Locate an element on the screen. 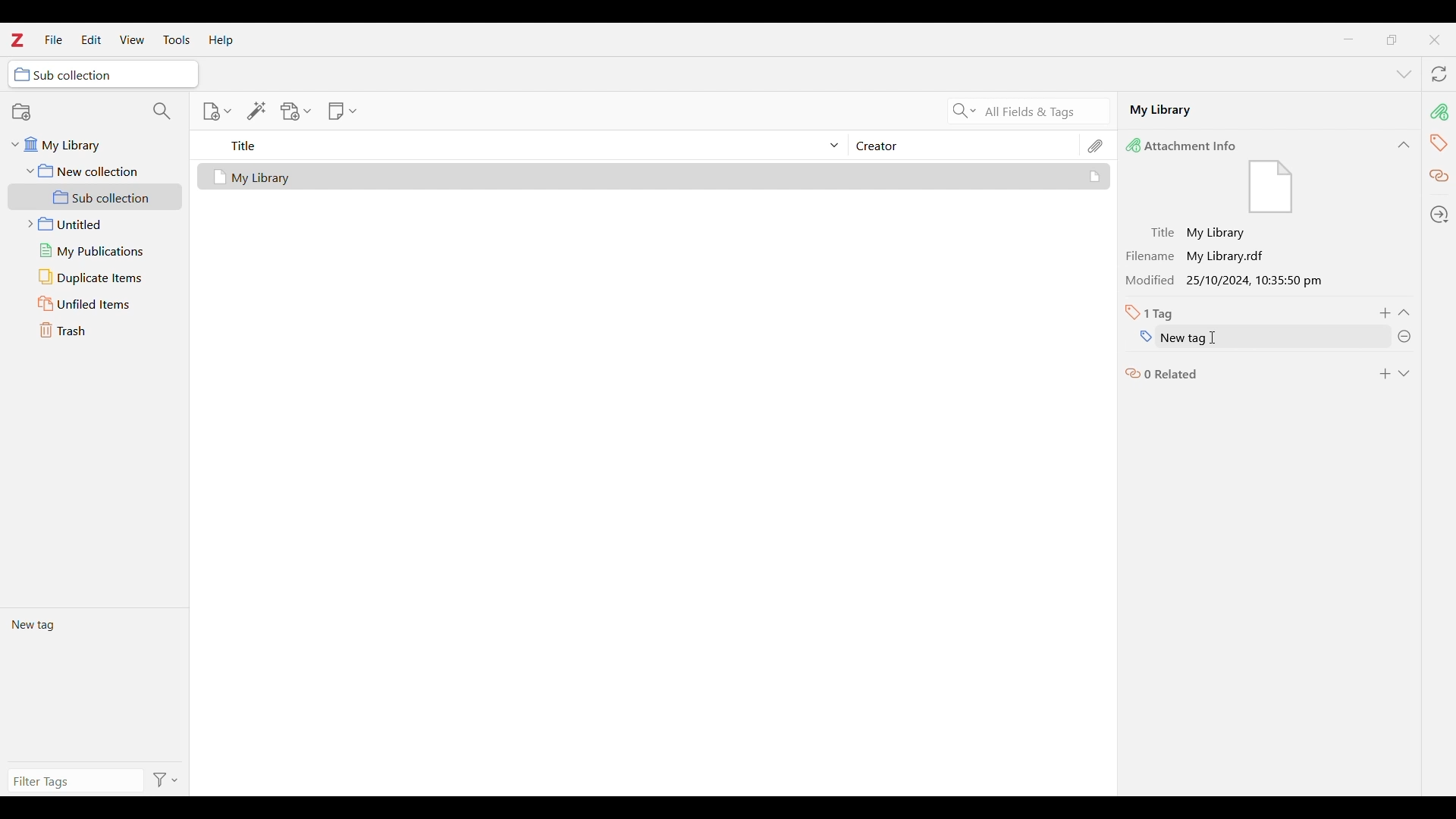  Collapse is located at coordinates (1404, 312).